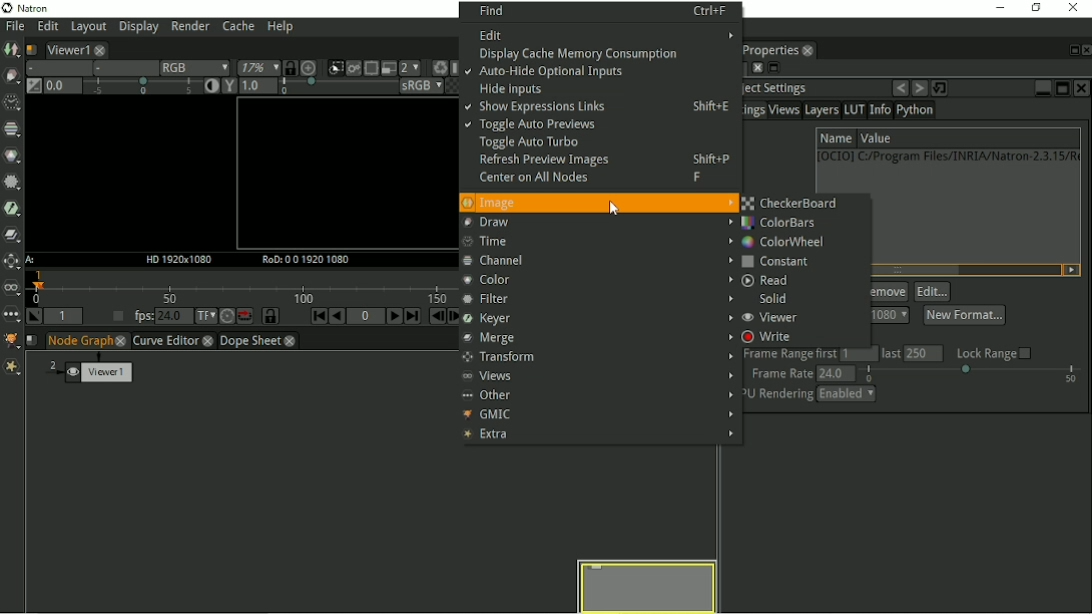 The height and width of the screenshot is (614, 1092). What do you see at coordinates (370, 67) in the screenshot?
I see `Enables the region of interest that limit the portion of the viewer` at bounding box center [370, 67].